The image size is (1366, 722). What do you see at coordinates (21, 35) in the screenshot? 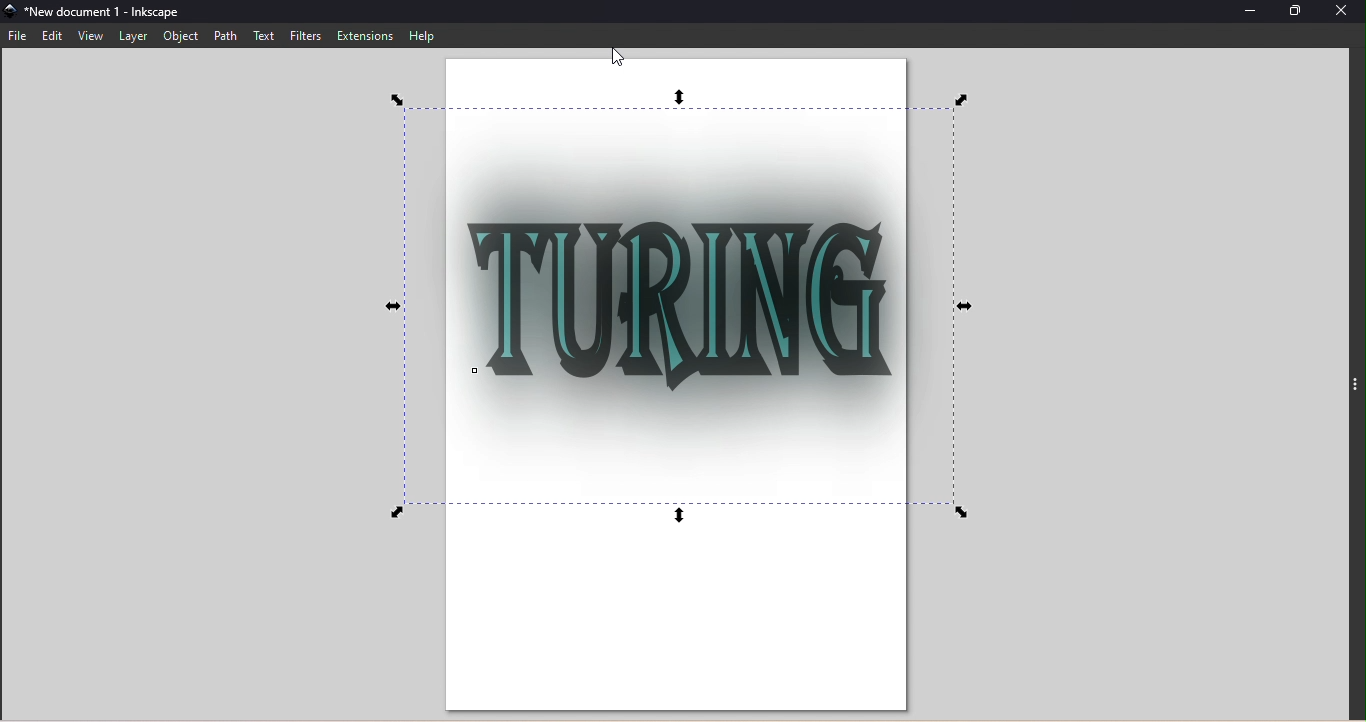
I see `File` at bounding box center [21, 35].